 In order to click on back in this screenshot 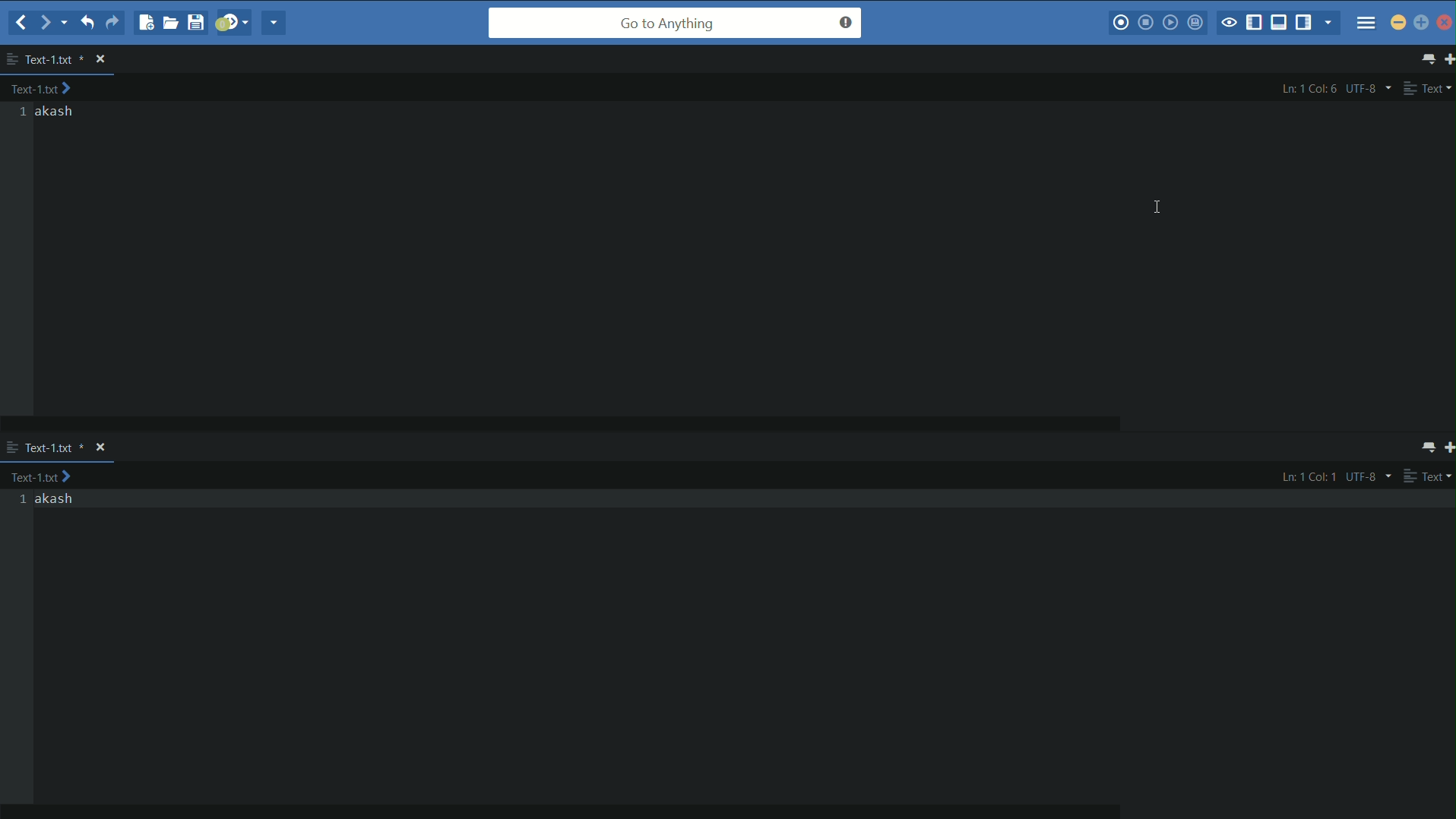, I will do `click(22, 24)`.